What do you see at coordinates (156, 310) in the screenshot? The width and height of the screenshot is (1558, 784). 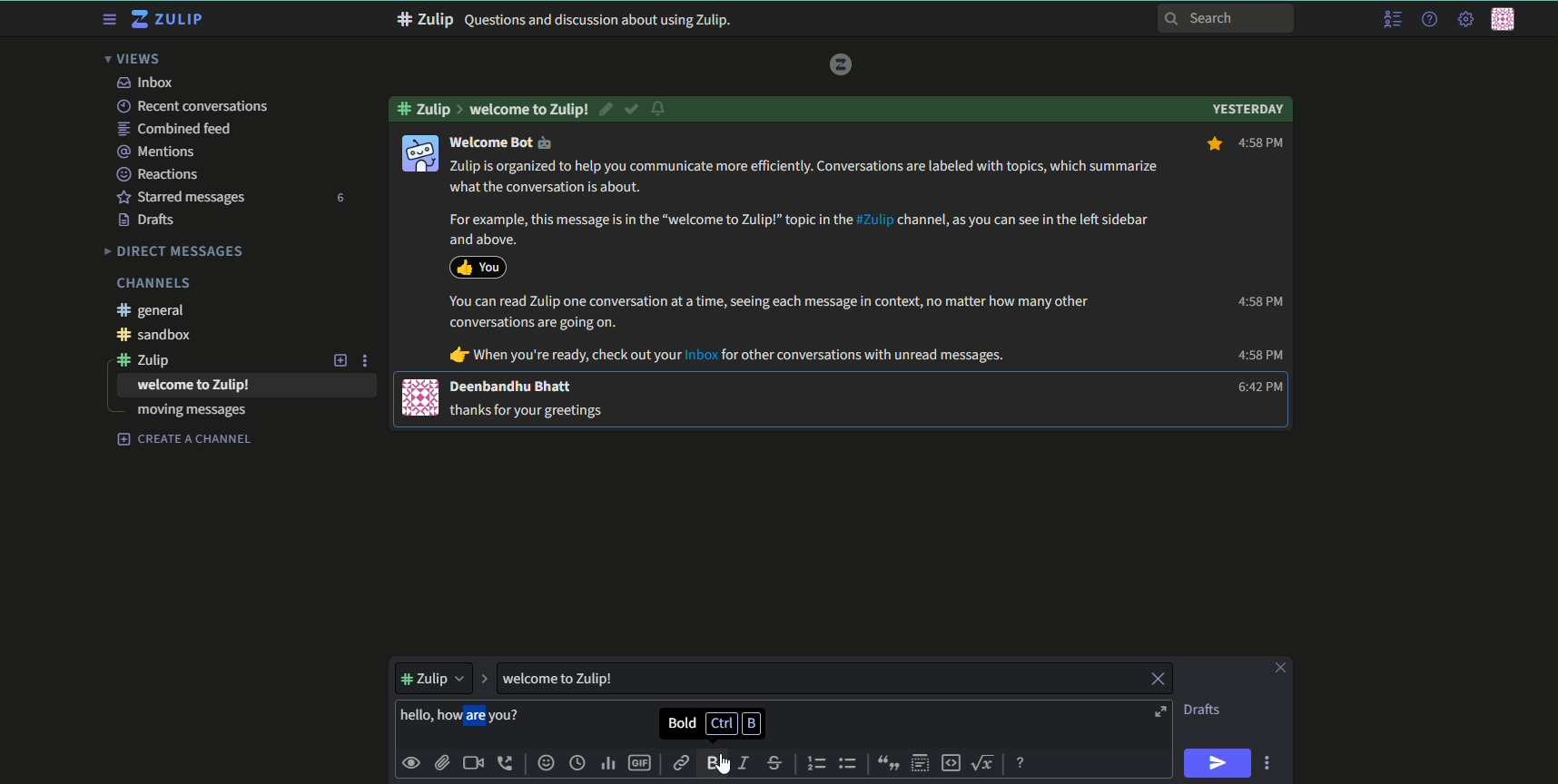 I see `#general` at bounding box center [156, 310].